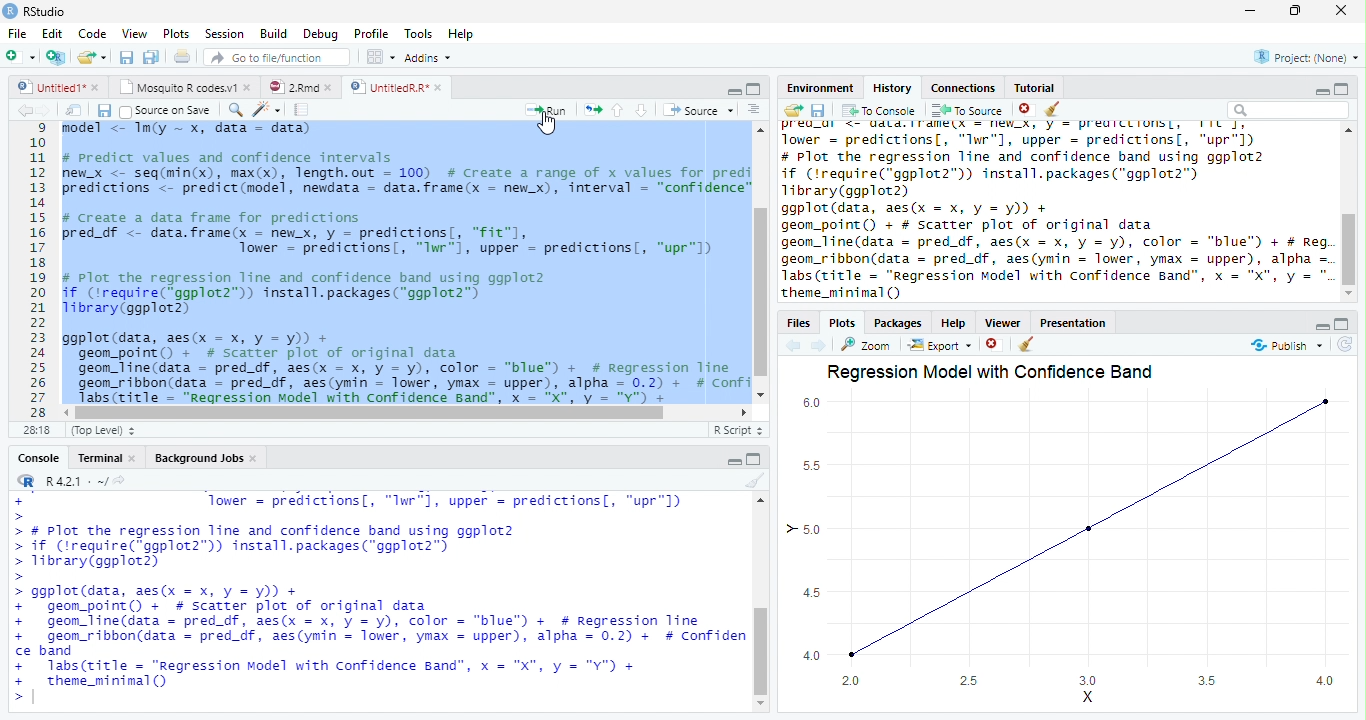  What do you see at coordinates (1283, 346) in the screenshot?
I see `Publish` at bounding box center [1283, 346].